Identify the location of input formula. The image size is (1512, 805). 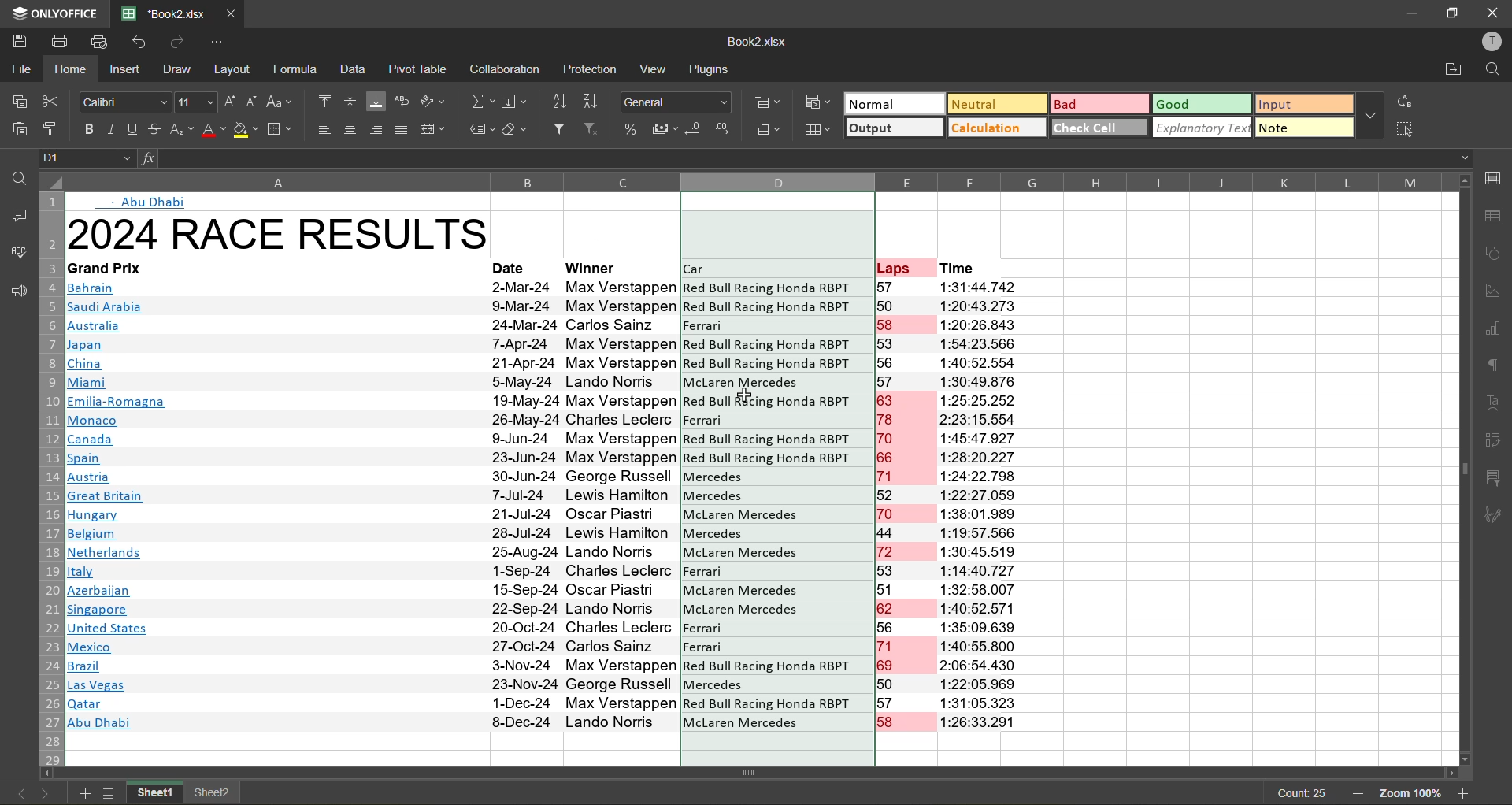
(143, 159).